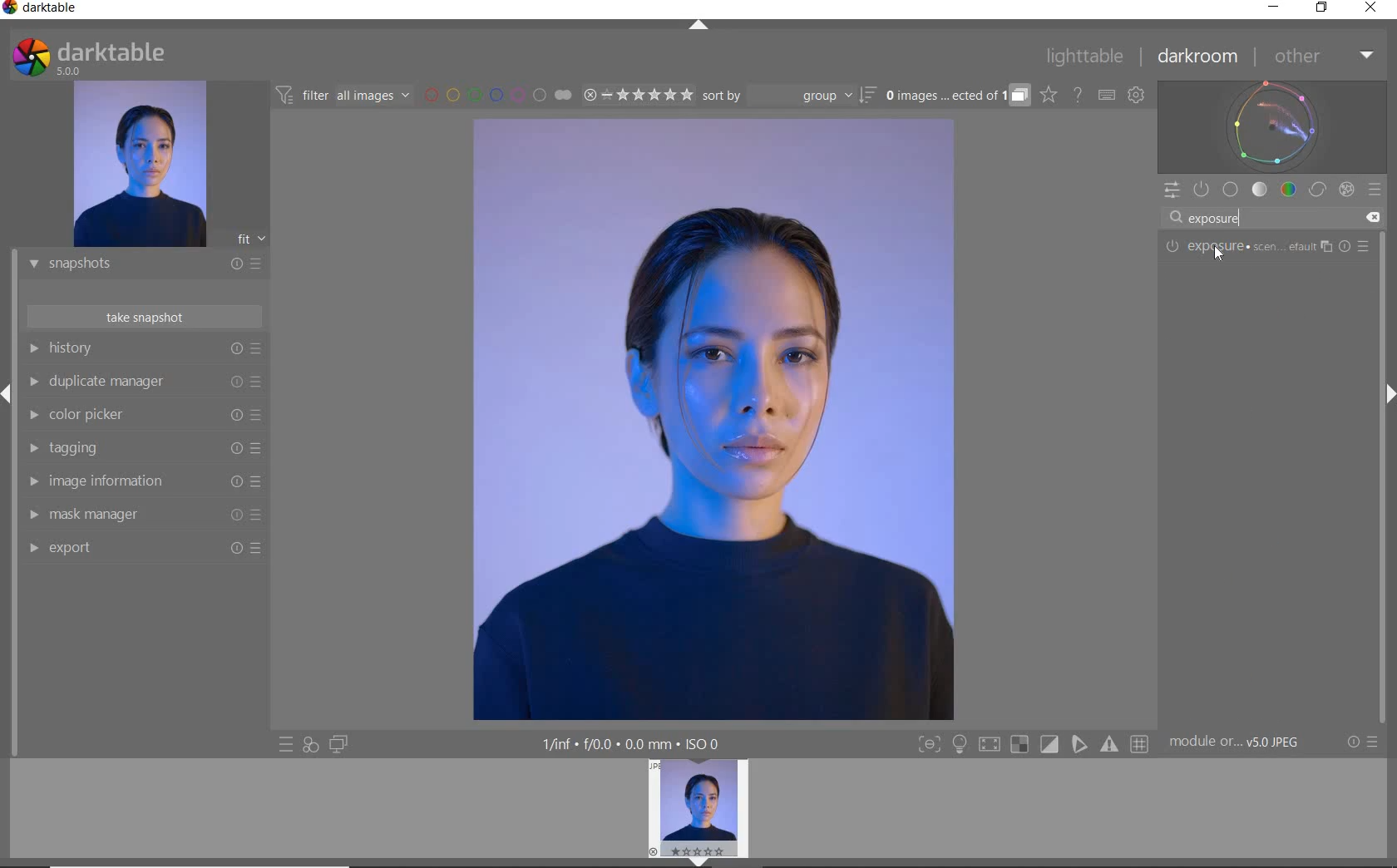 This screenshot has width=1397, height=868. What do you see at coordinates (1217, 220) in the screenshot?
I see `INPUT VALUE` at bounding box center [1217, 220].